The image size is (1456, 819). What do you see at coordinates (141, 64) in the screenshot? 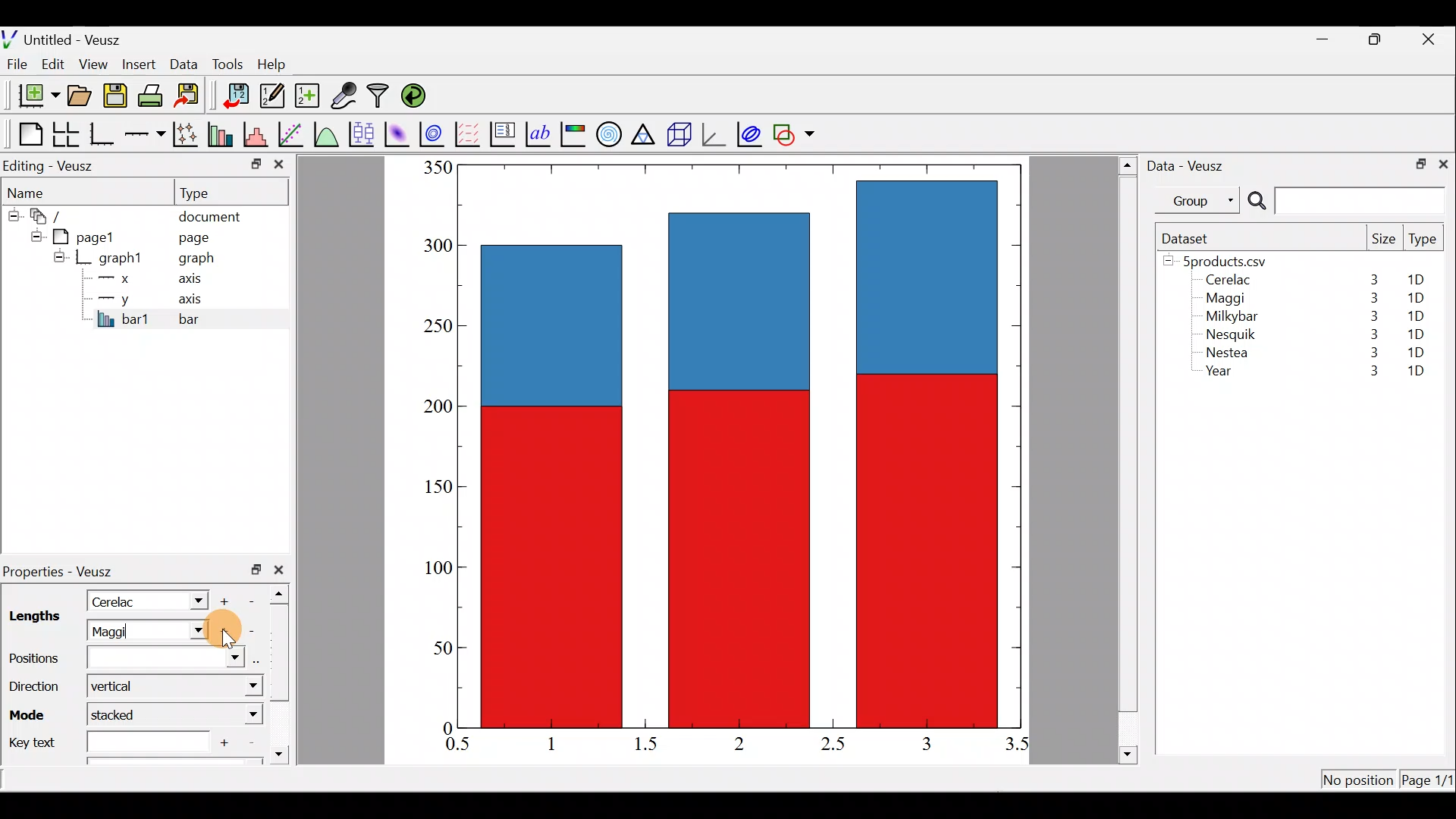
I see `Insert` at bounding box center [141, 64].